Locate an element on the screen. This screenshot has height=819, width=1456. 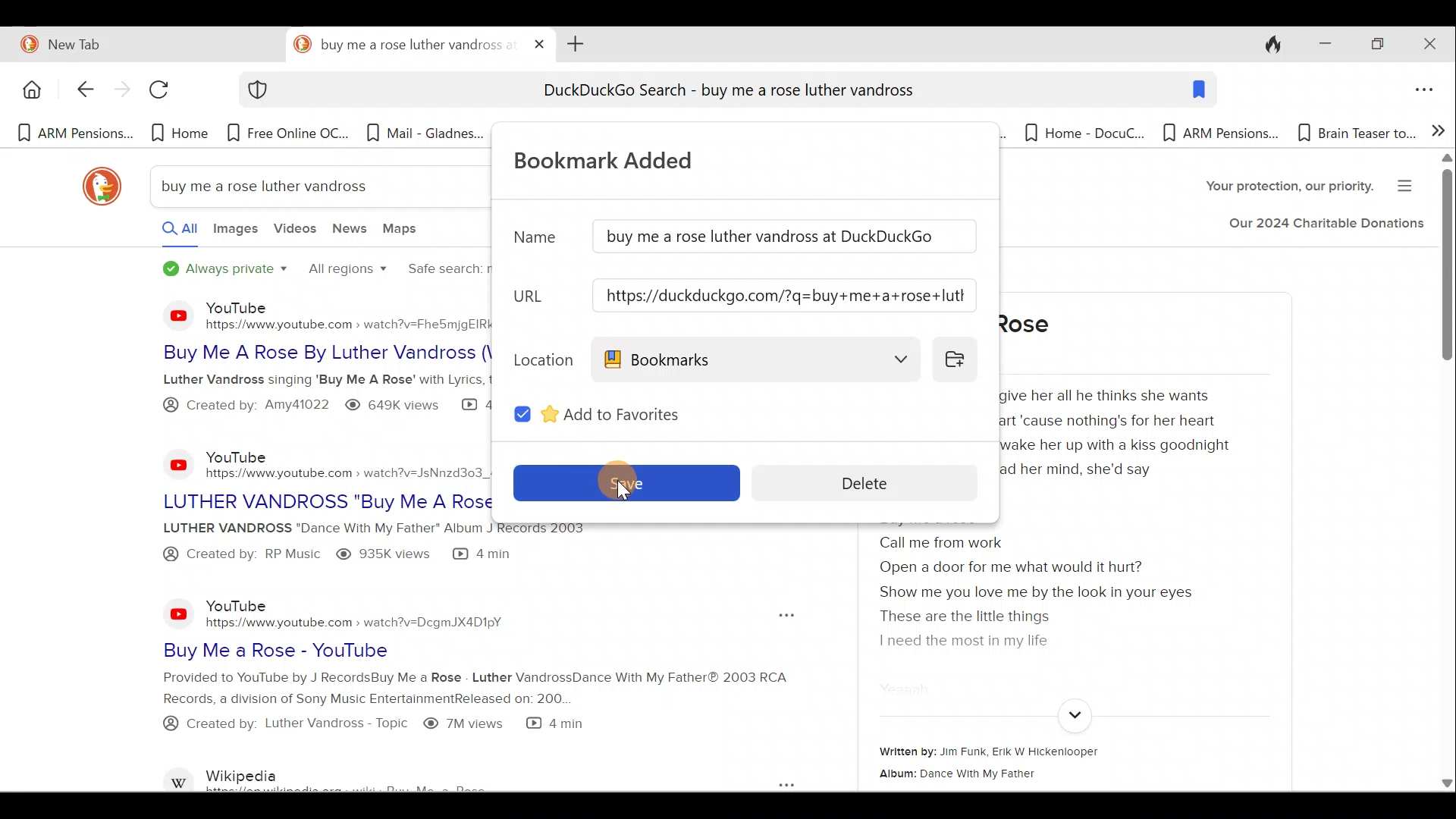
Cursor is located at coordinates (620, 481).